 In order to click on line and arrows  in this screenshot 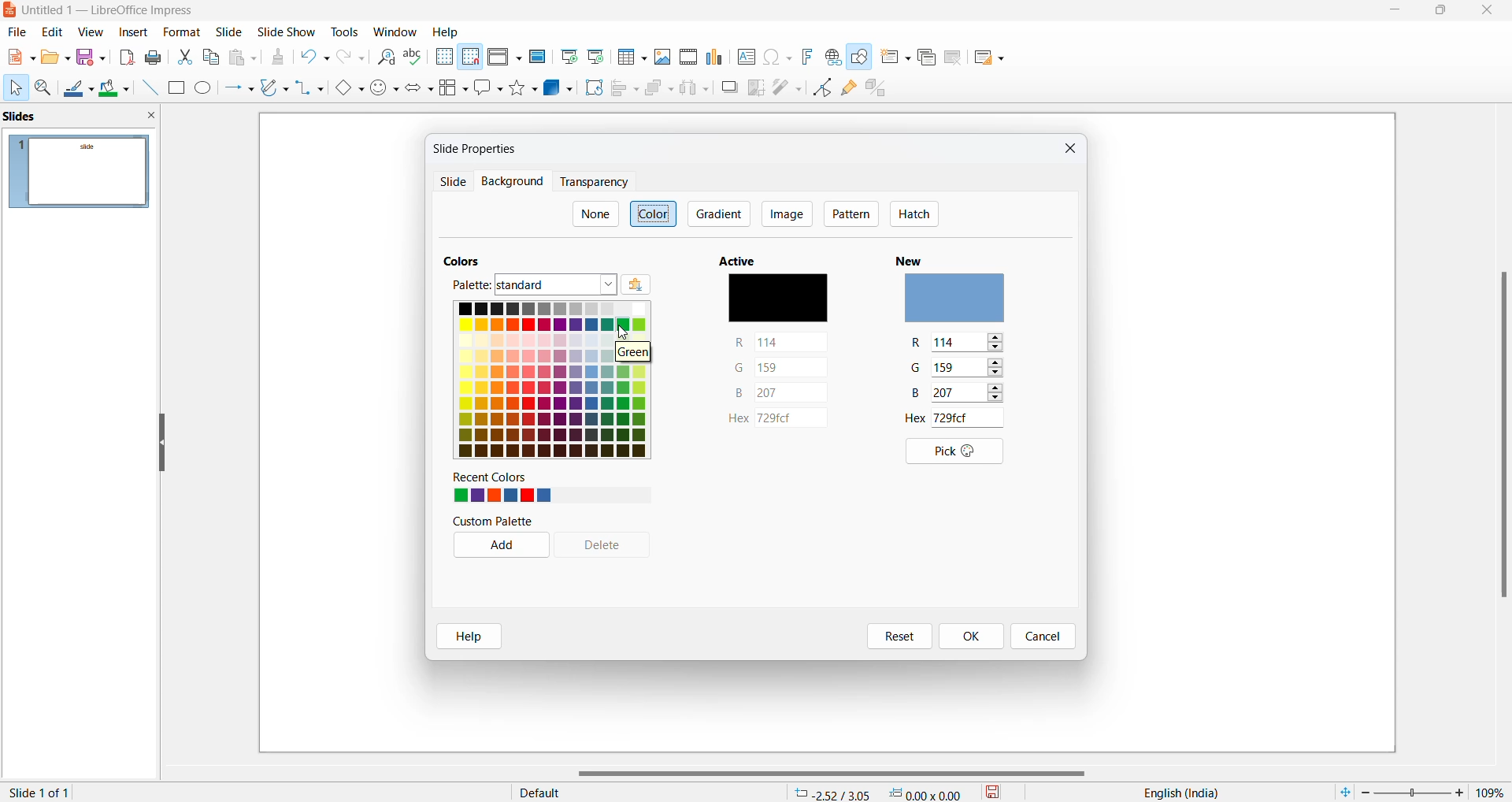, I will do `click(239, 89)`.